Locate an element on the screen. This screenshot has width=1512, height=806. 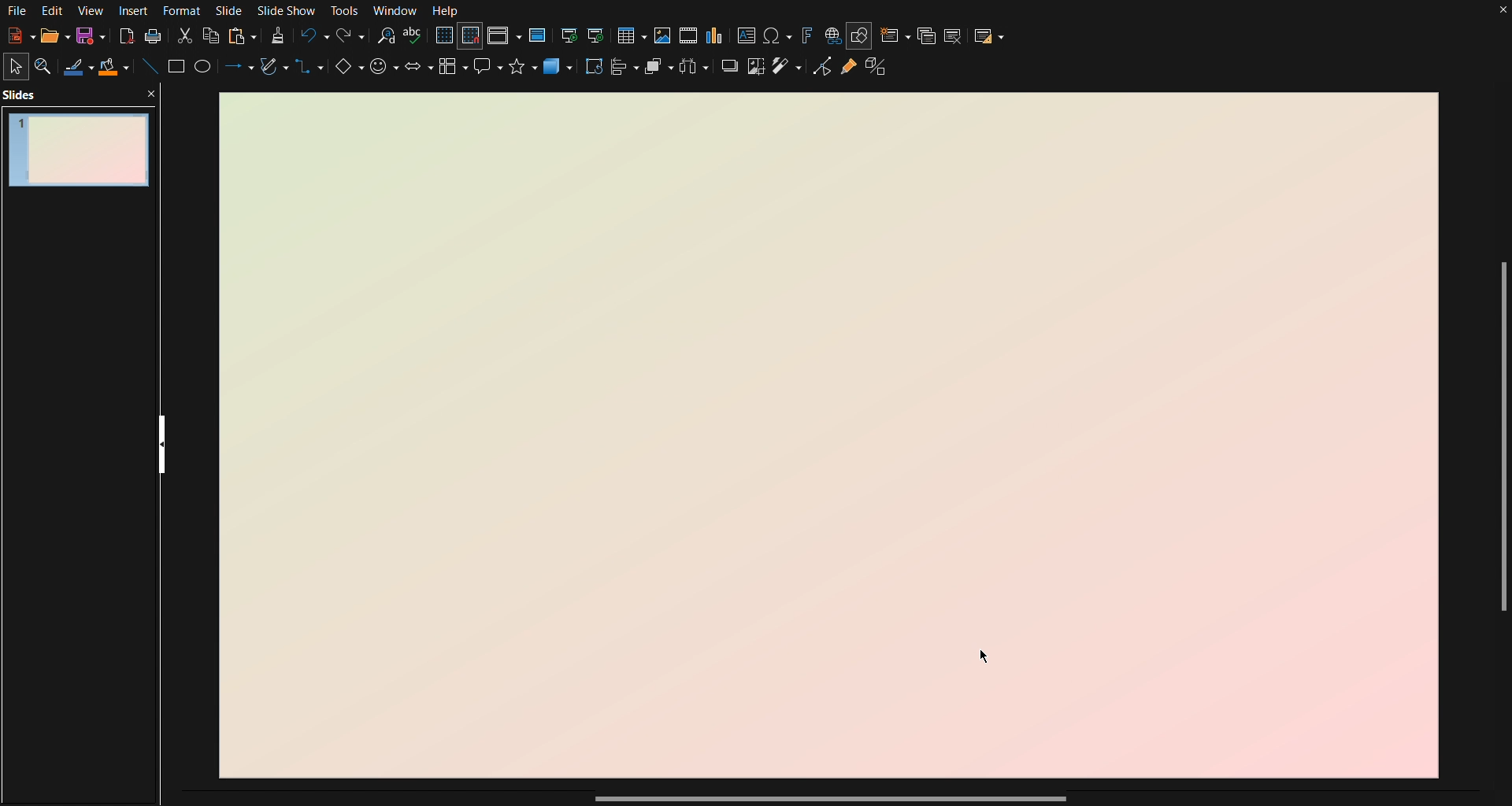
Slide is located at coordinates (231, 10).